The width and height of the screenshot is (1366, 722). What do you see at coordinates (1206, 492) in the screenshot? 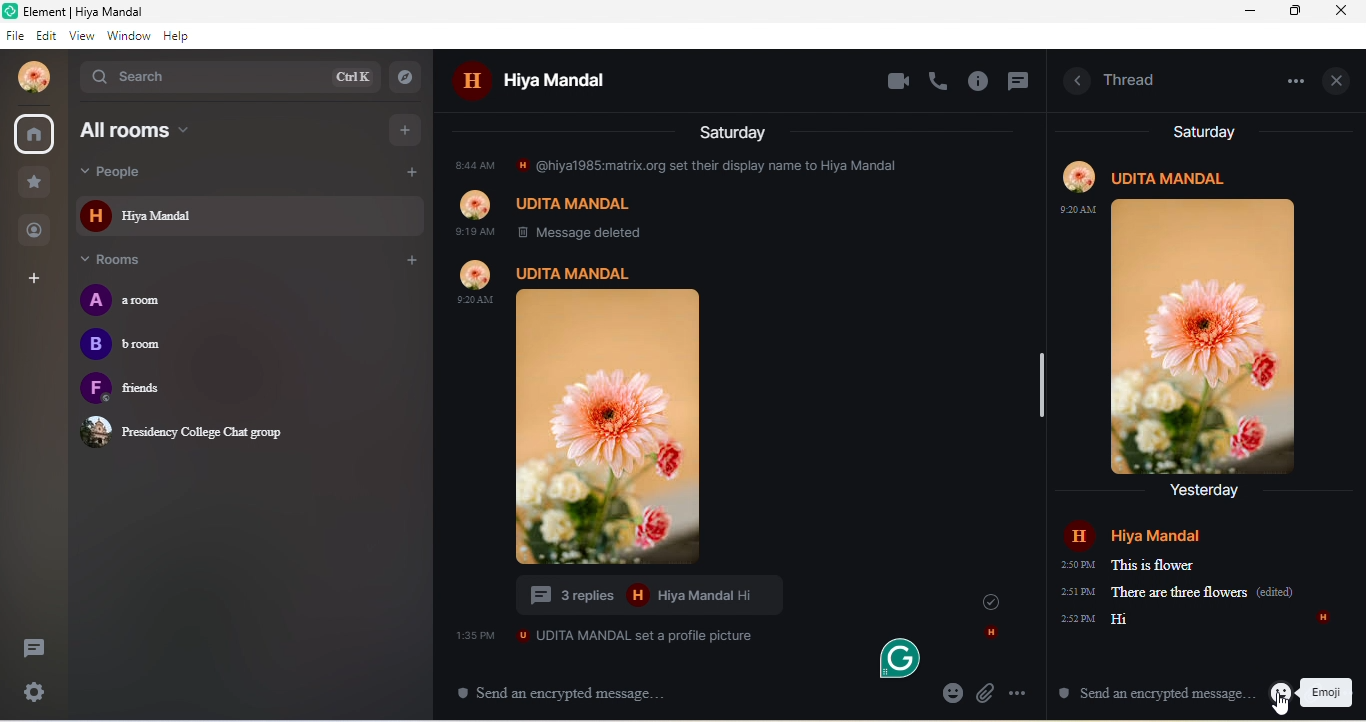
I see `Yesterday` at bounding box center [1206, 492].